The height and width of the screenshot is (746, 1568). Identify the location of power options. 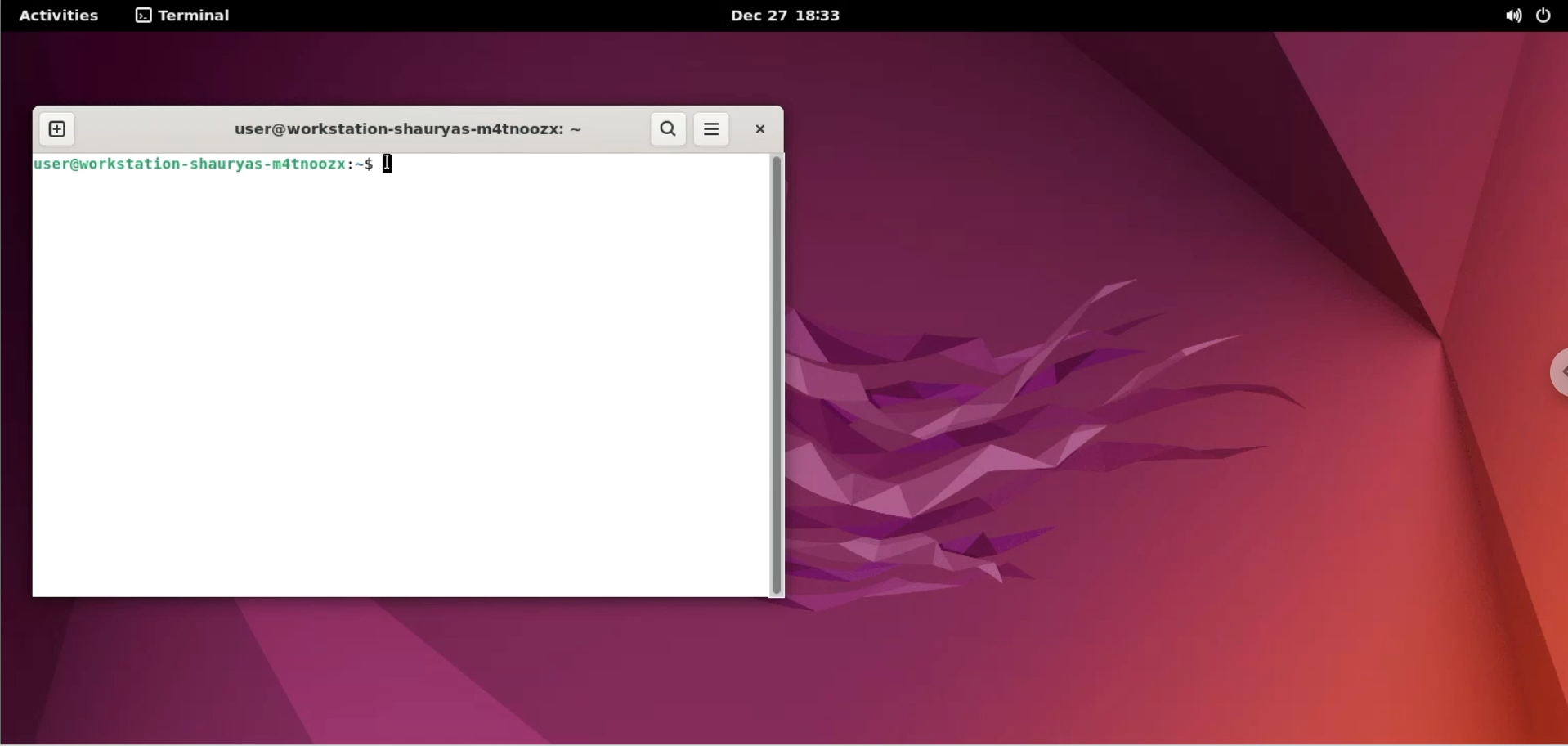
(1548, 16).